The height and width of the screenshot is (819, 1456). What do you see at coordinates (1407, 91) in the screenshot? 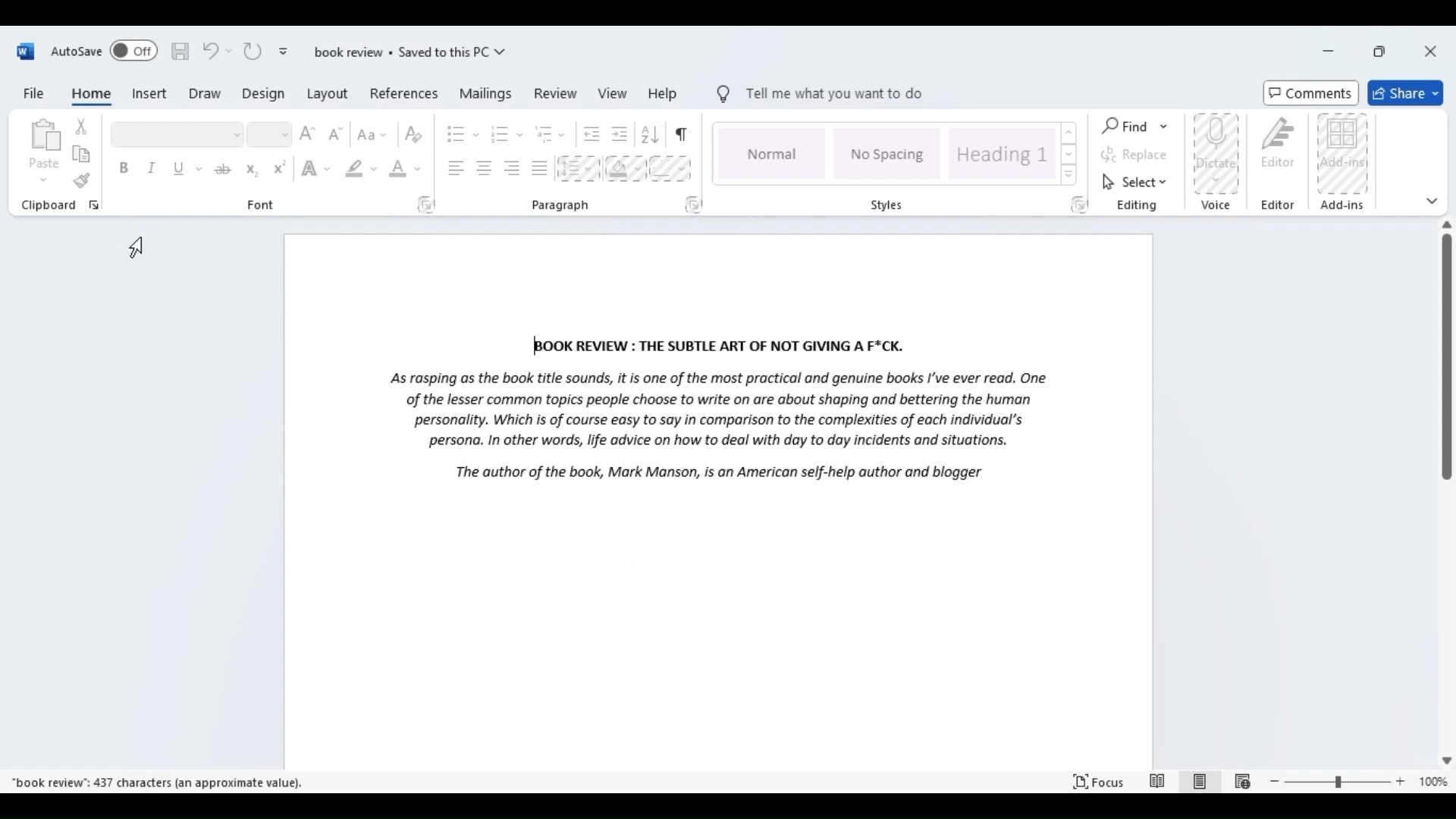
I see `Share` at bounding box center [1407, 91].